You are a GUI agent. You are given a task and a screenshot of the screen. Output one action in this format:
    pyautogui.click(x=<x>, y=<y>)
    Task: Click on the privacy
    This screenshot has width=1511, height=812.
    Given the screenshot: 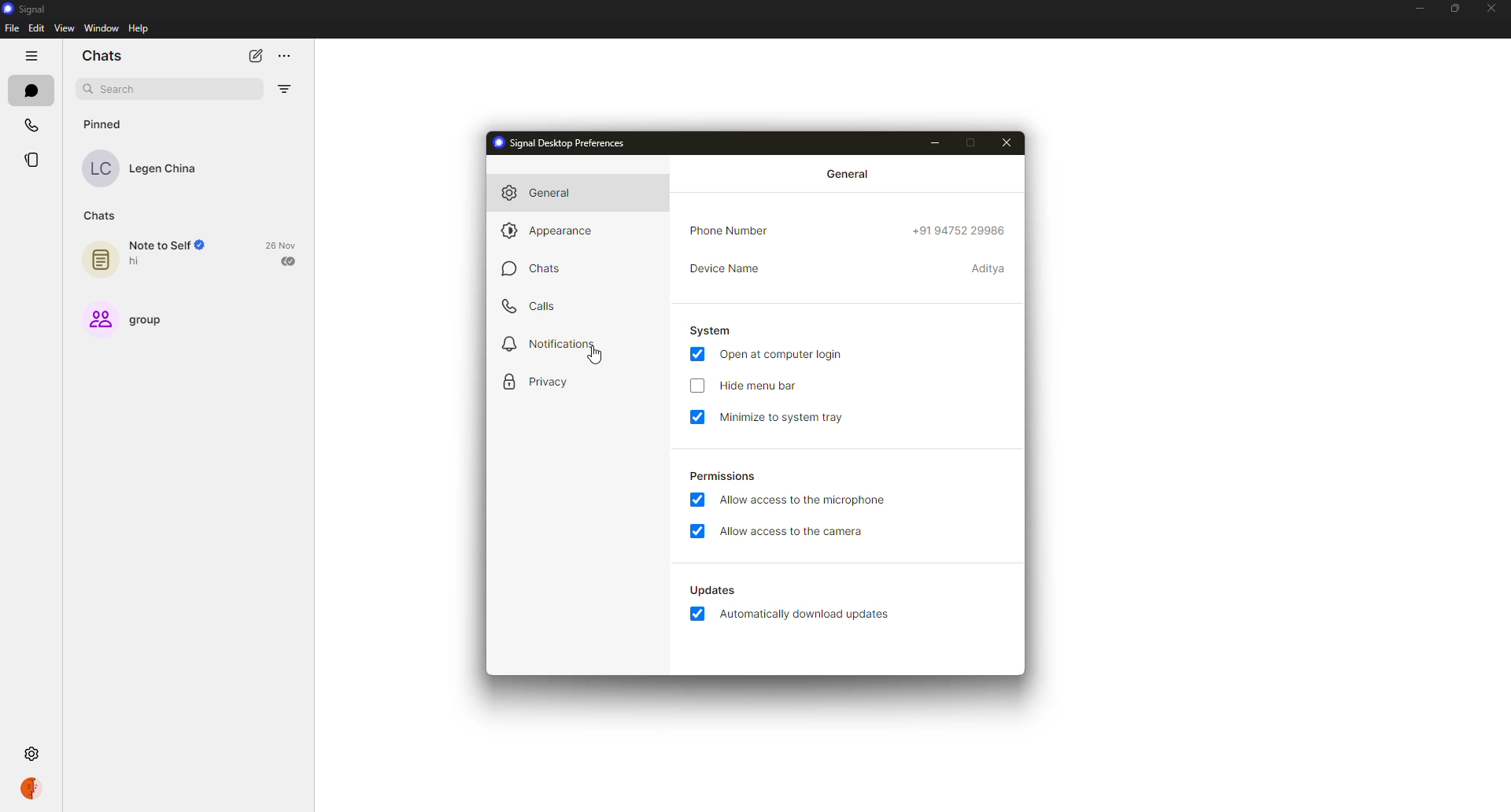 What is the action you would take?
    pyautogui.click(x=534, y=379)
    